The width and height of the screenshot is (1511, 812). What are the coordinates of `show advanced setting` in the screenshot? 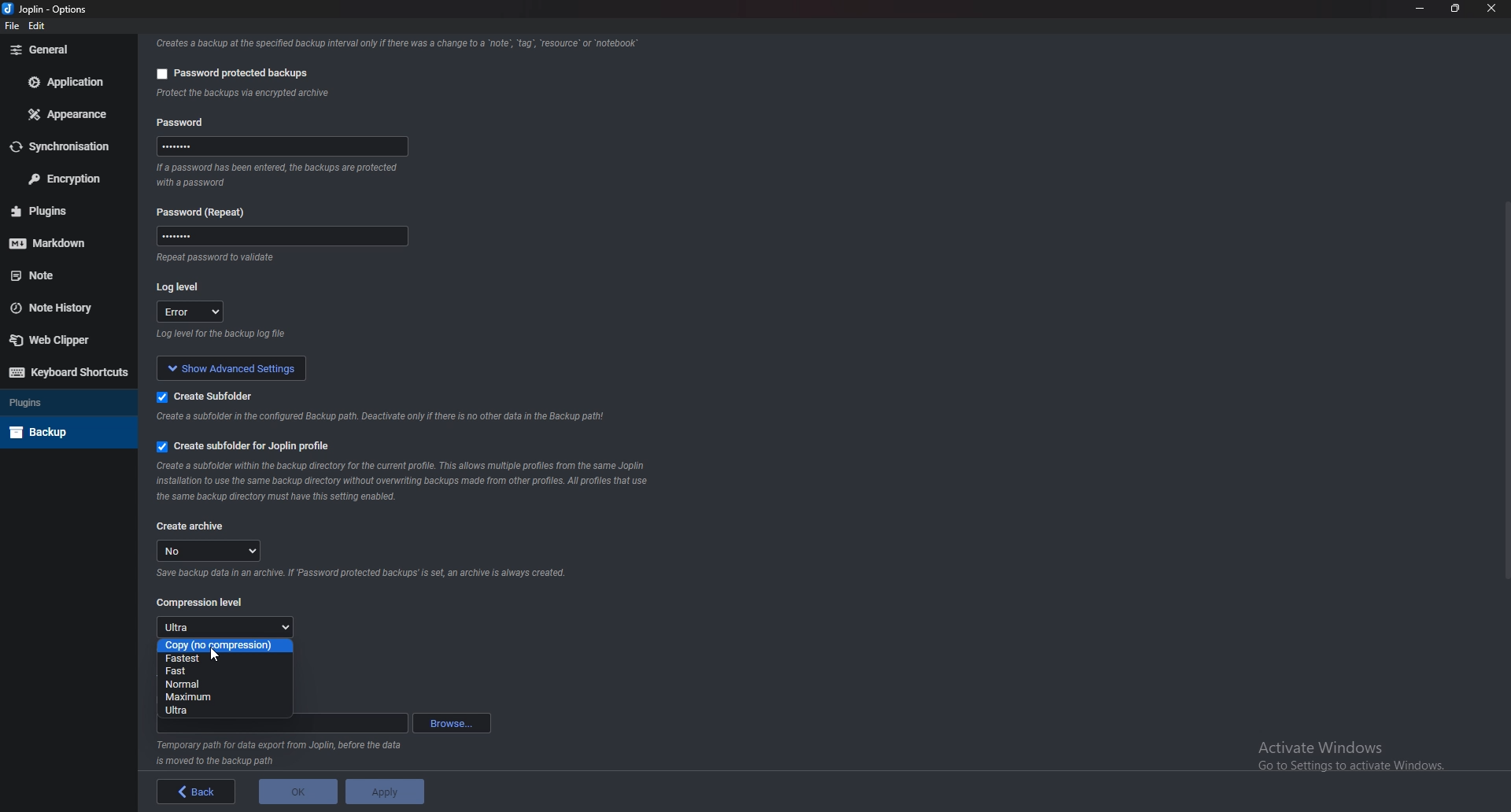 It's located at (242, 367).